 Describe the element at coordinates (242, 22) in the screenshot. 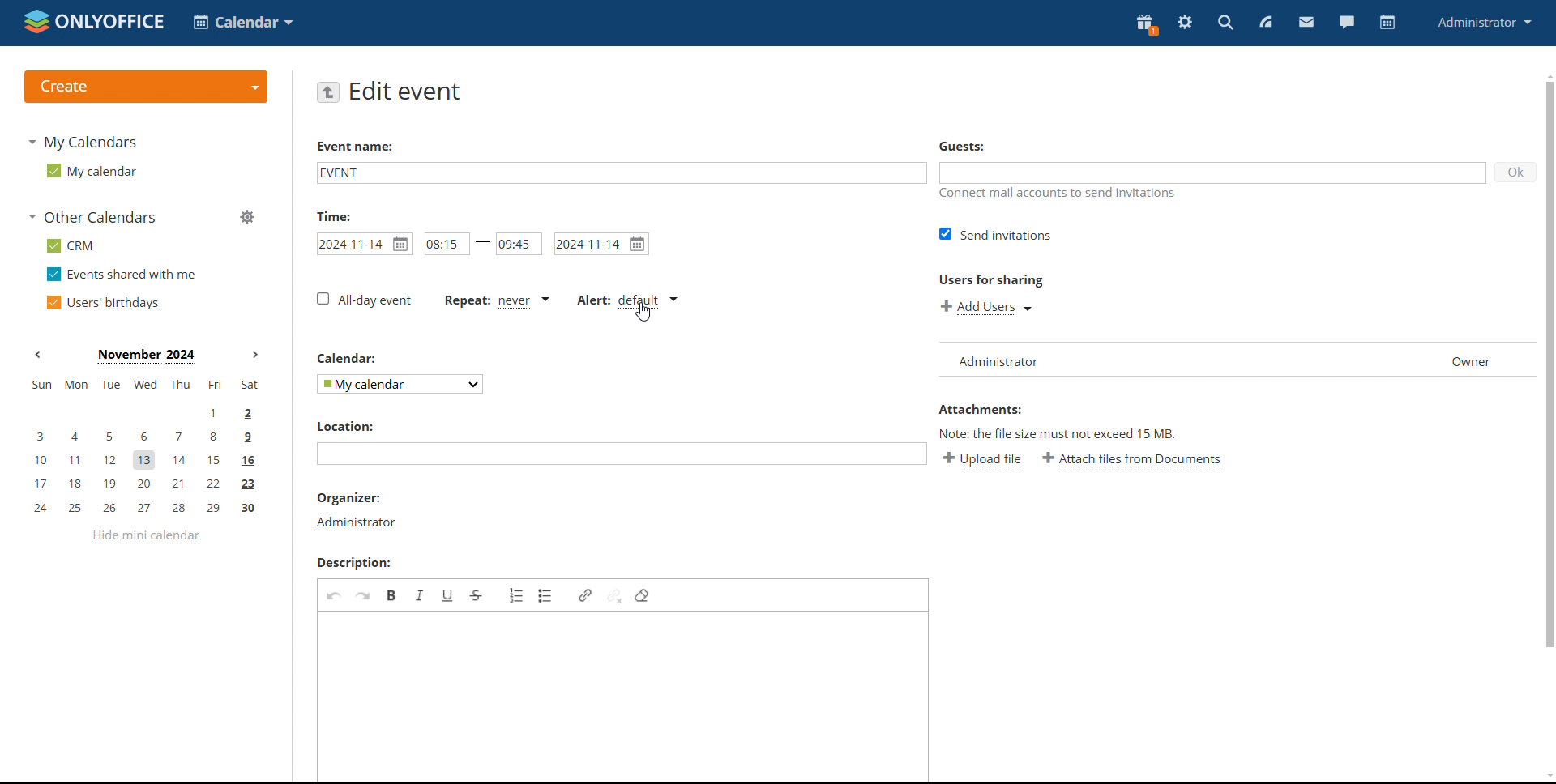

I see `select application` at that location.